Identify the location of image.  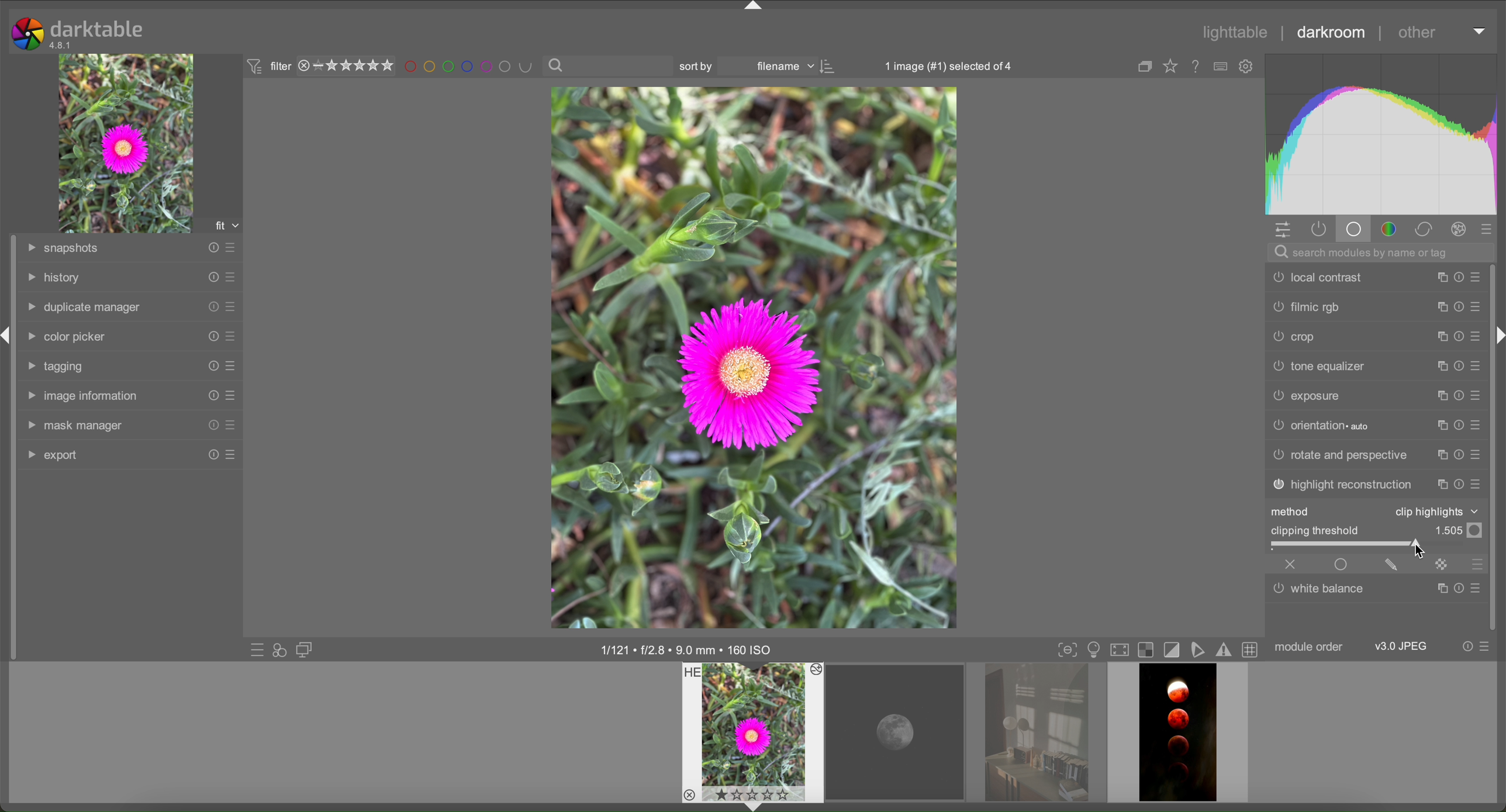
(128, 143).